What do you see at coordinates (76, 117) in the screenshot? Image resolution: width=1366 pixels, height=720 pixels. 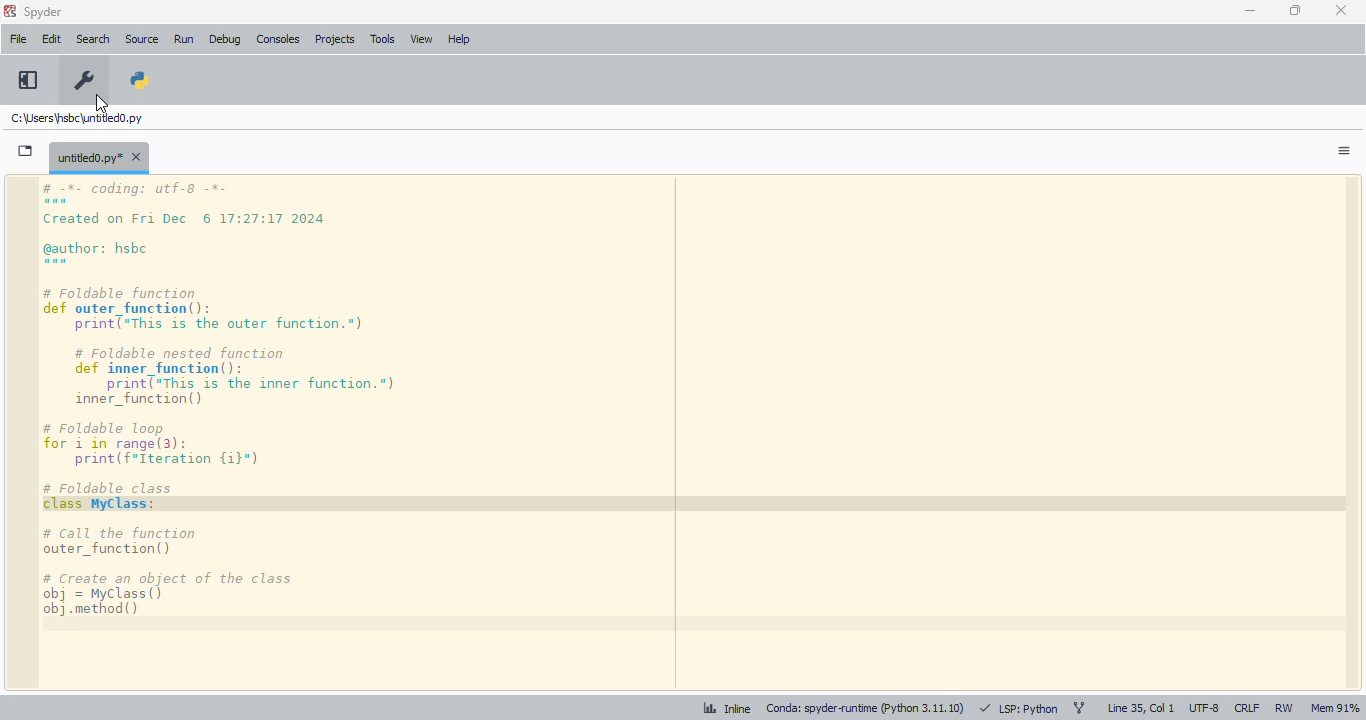 I see `untitled0.py` at bounding box center [76, 117].